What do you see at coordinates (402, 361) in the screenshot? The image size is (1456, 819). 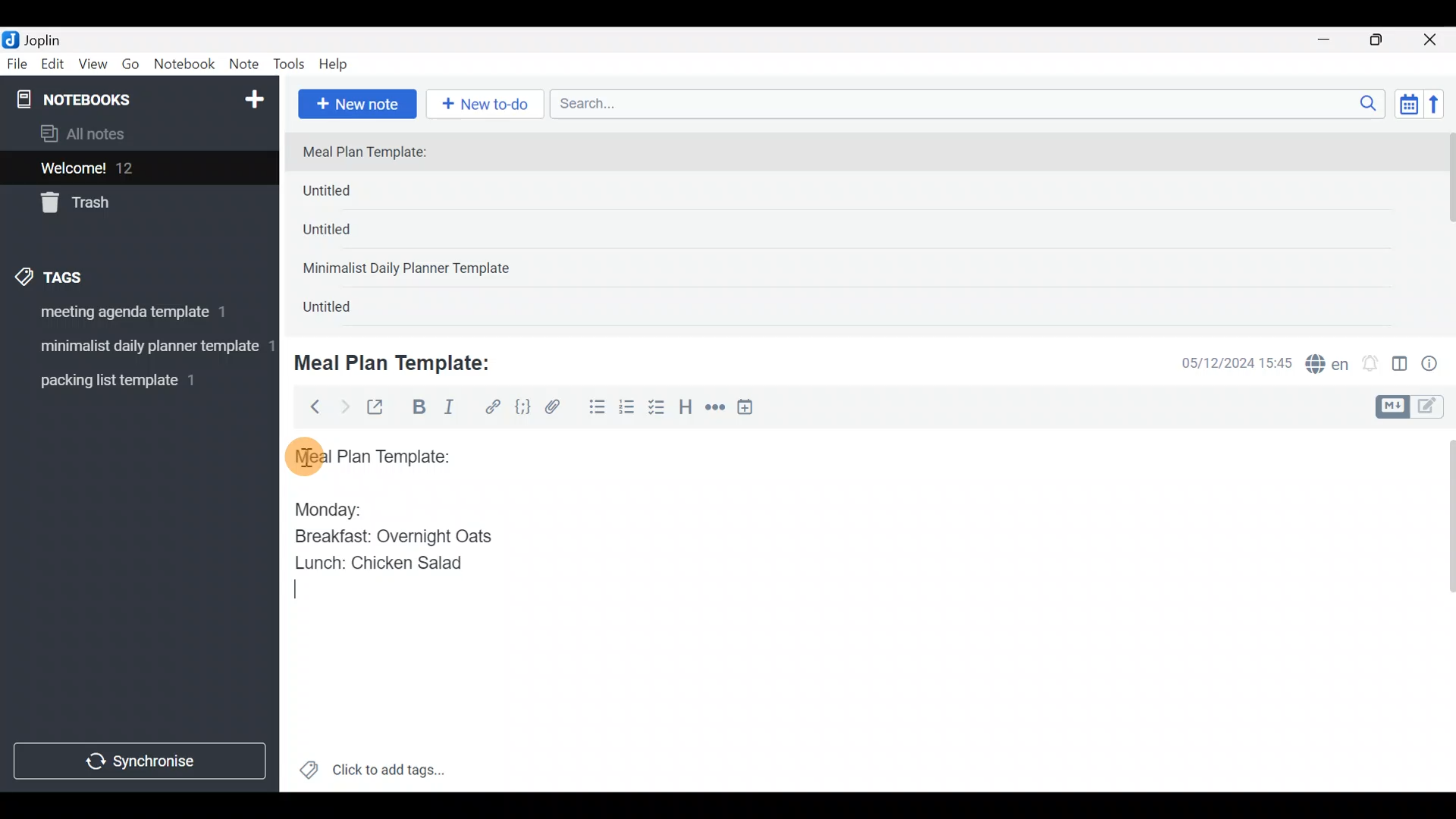 I see `Meal Plan Template:` at bounding box center [402, 361].